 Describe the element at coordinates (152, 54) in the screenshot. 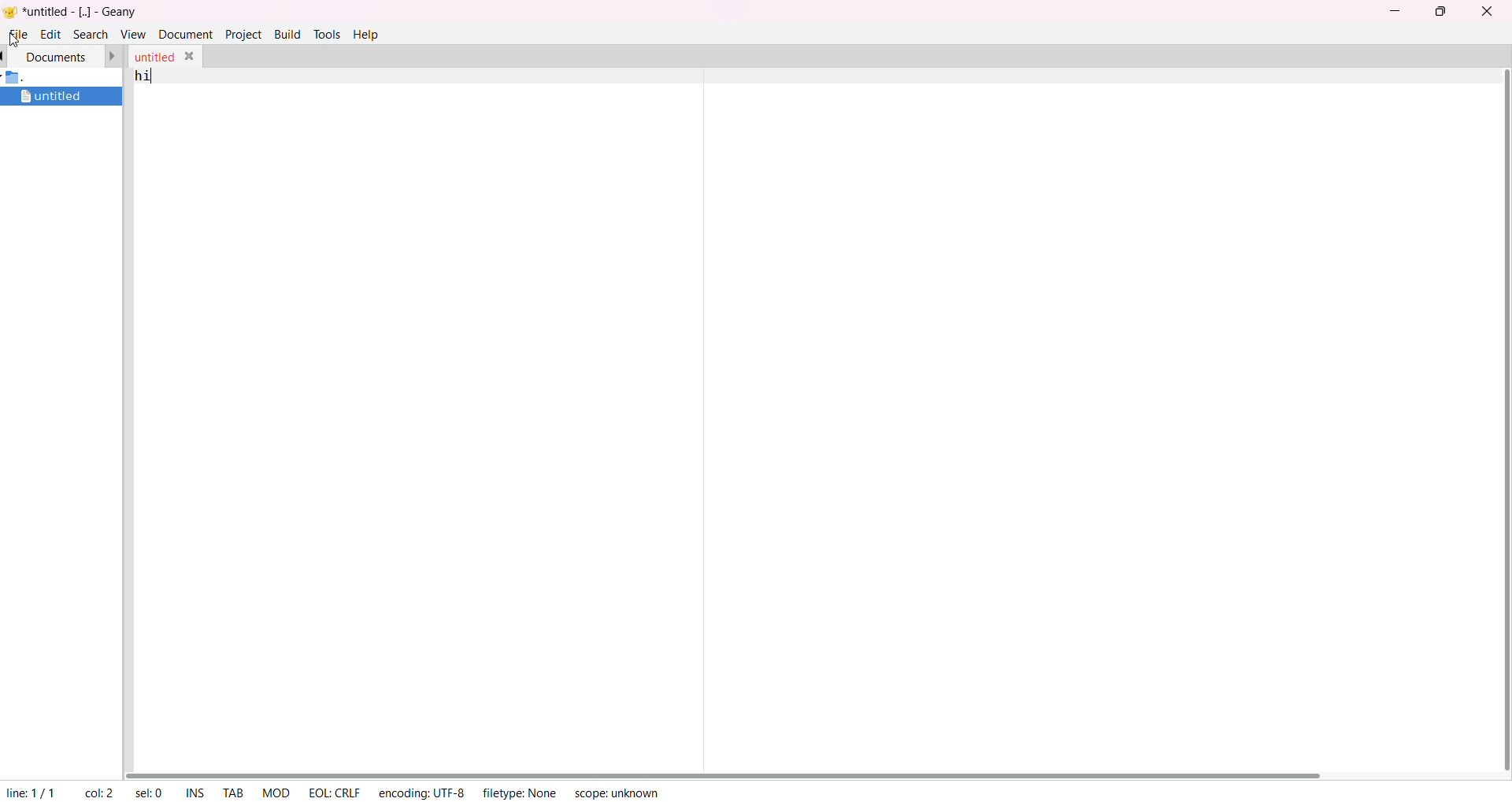

I see `untitled` at that location.